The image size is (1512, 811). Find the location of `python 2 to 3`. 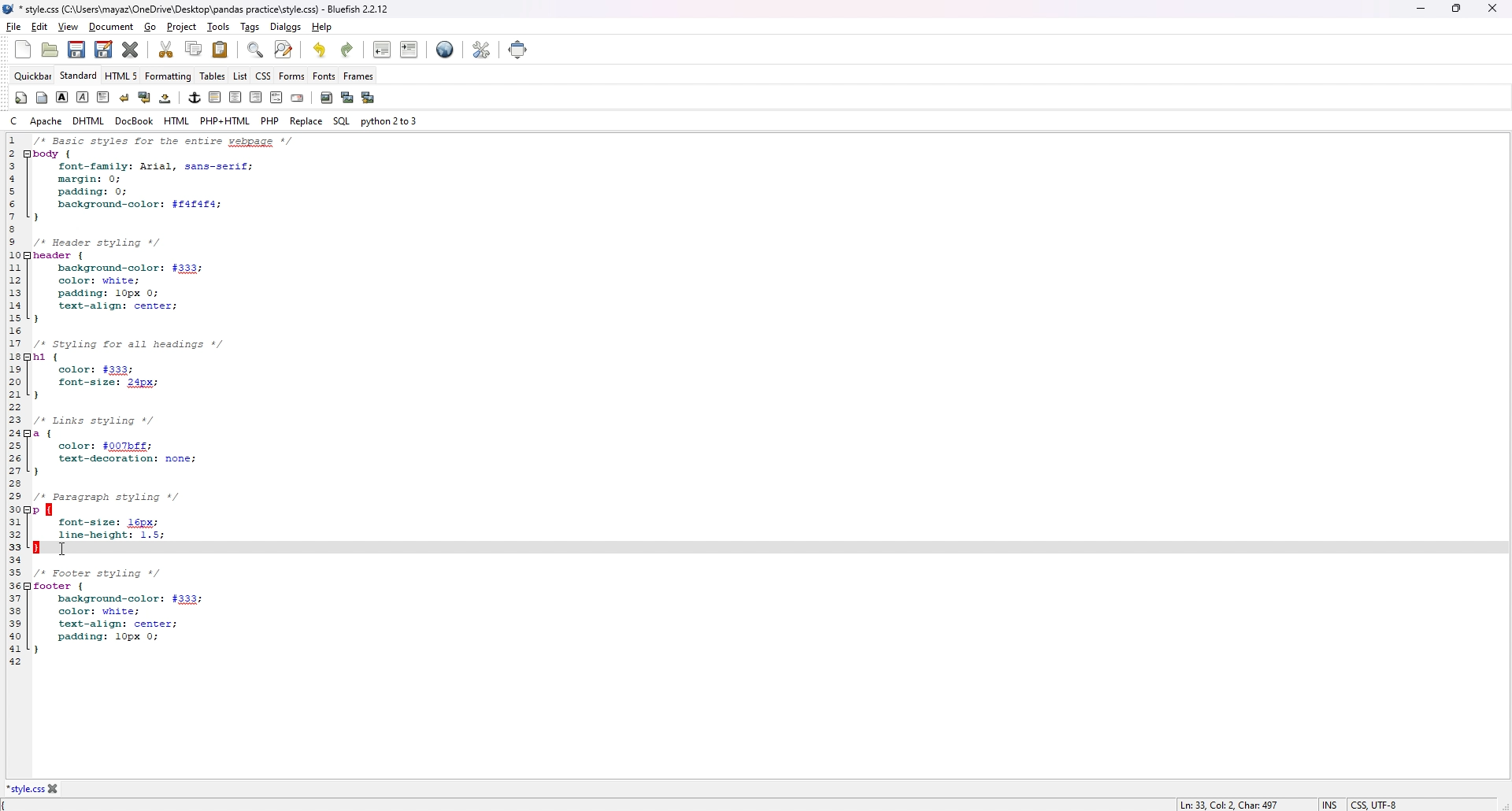

python 2 to 3 is located at coordinates (390, 120).